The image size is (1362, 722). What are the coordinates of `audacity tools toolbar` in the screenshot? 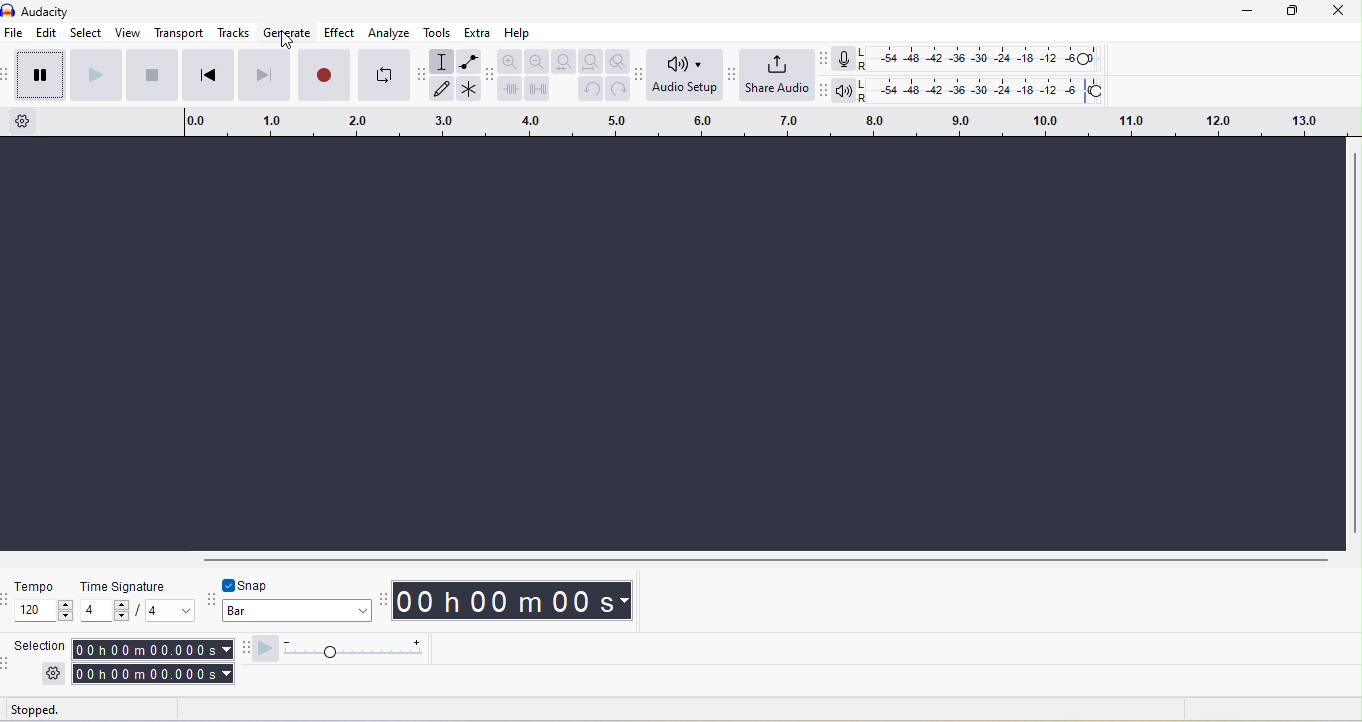 It's located at (424, 81).